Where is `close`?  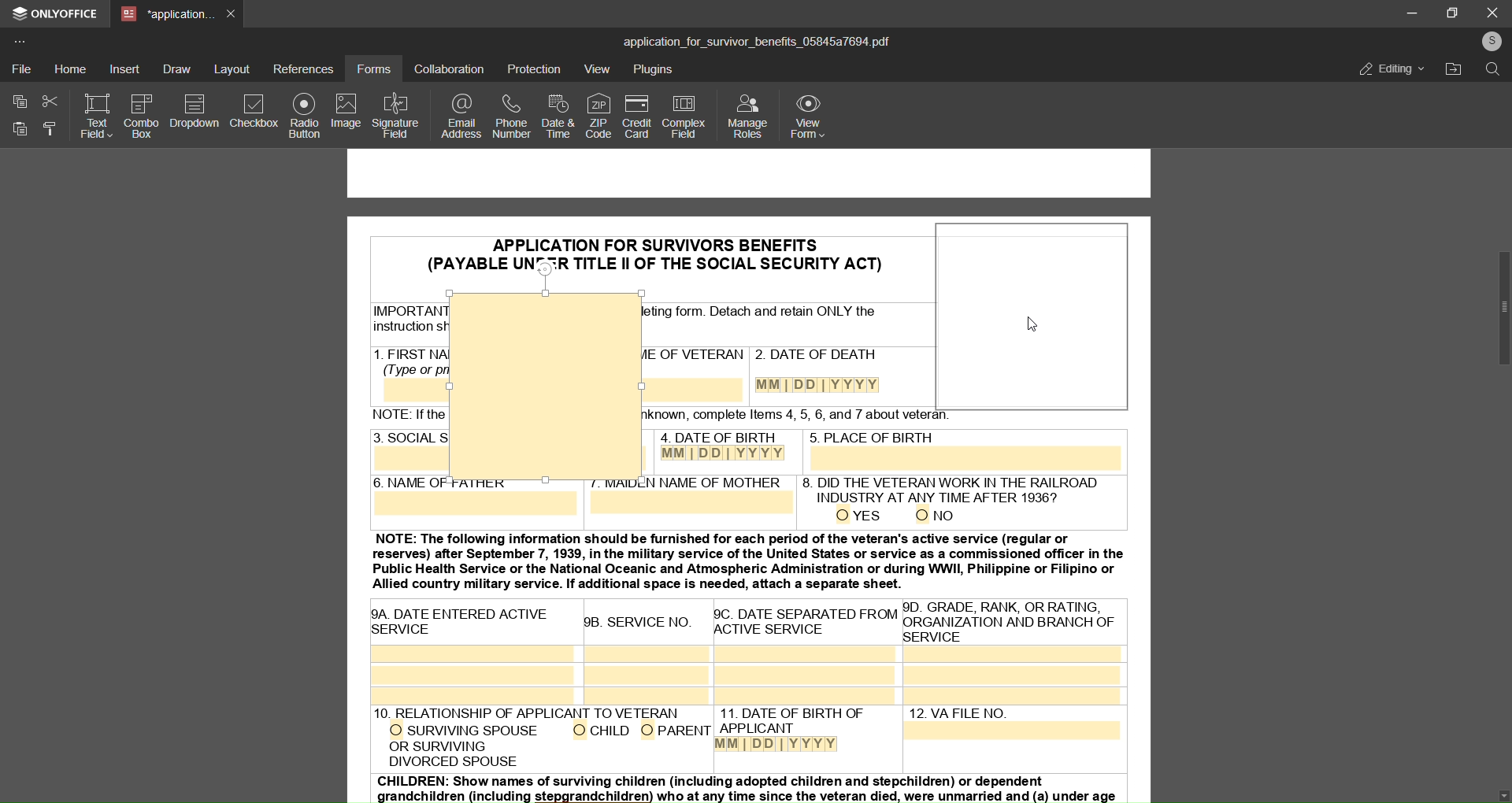
close is located at coordinates (1492, 12).